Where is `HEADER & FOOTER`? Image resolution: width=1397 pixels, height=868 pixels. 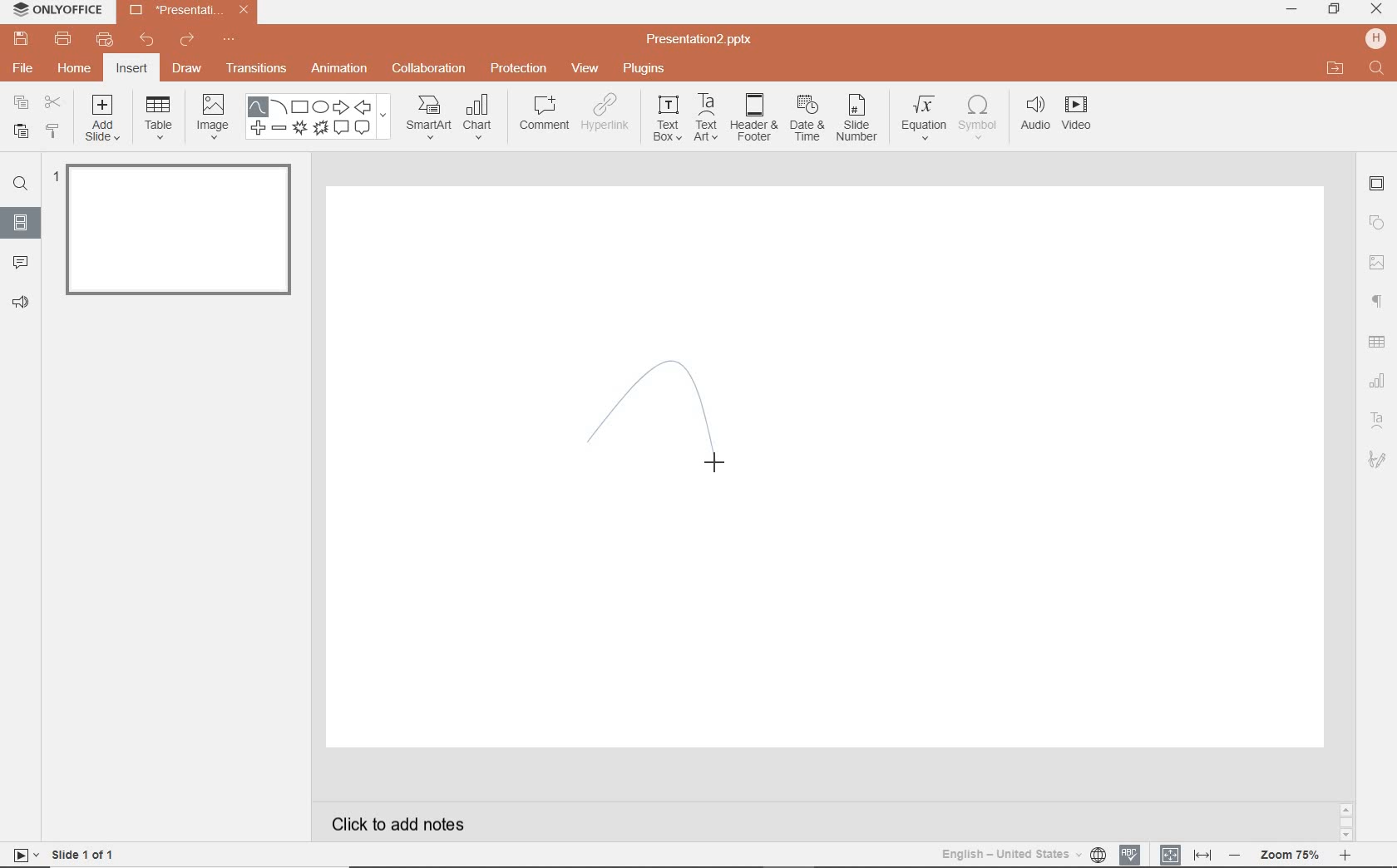
HEADER & FOOTER is located at coordinates (753, 118).